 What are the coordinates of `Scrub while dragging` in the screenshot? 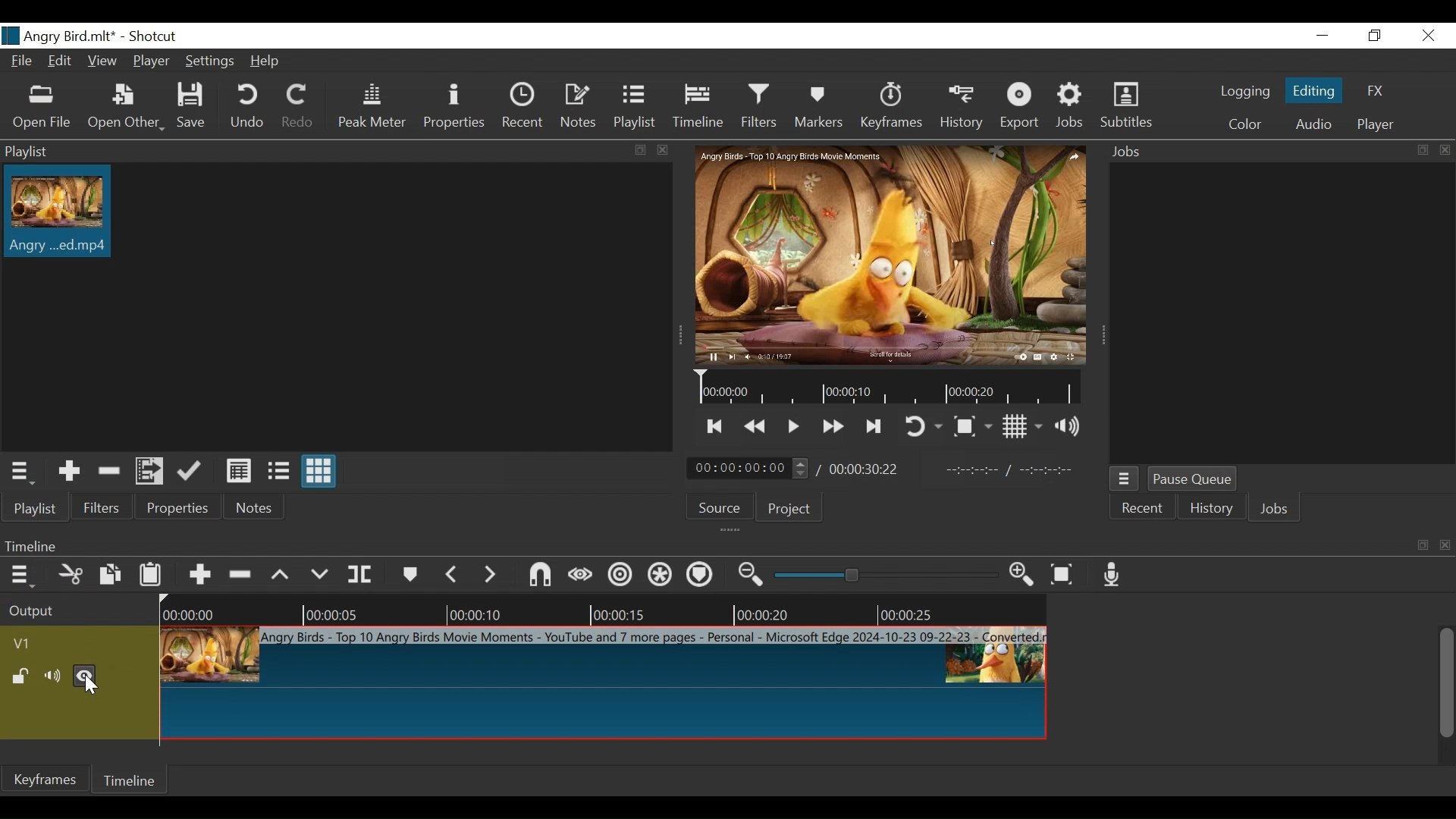 It's located at (581, 576).